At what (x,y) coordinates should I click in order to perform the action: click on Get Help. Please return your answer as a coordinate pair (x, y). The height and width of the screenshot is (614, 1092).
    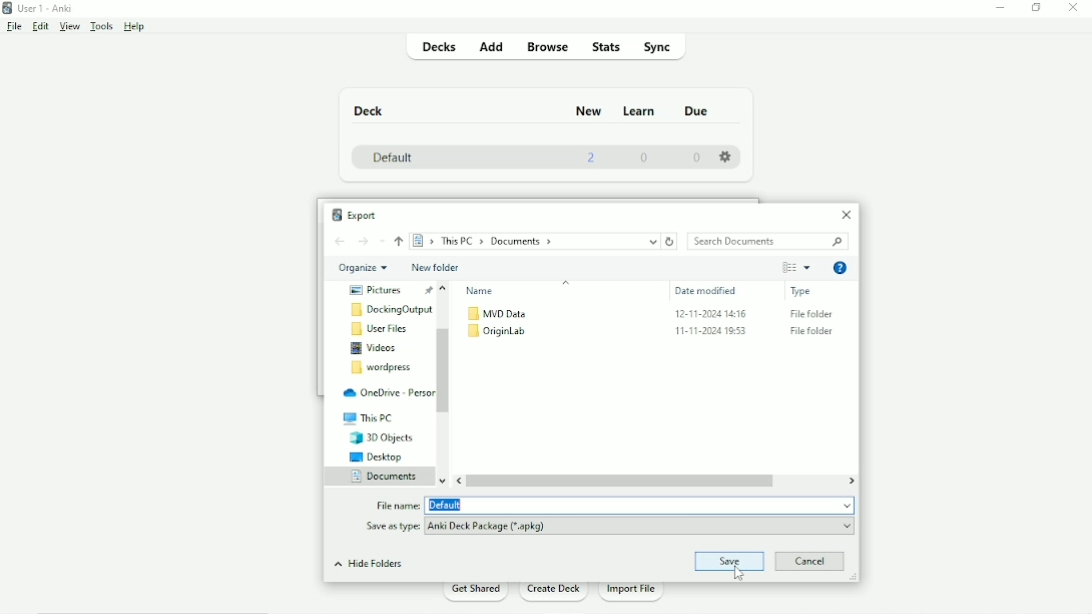
    Looking at the image, I should click on (843, 269).